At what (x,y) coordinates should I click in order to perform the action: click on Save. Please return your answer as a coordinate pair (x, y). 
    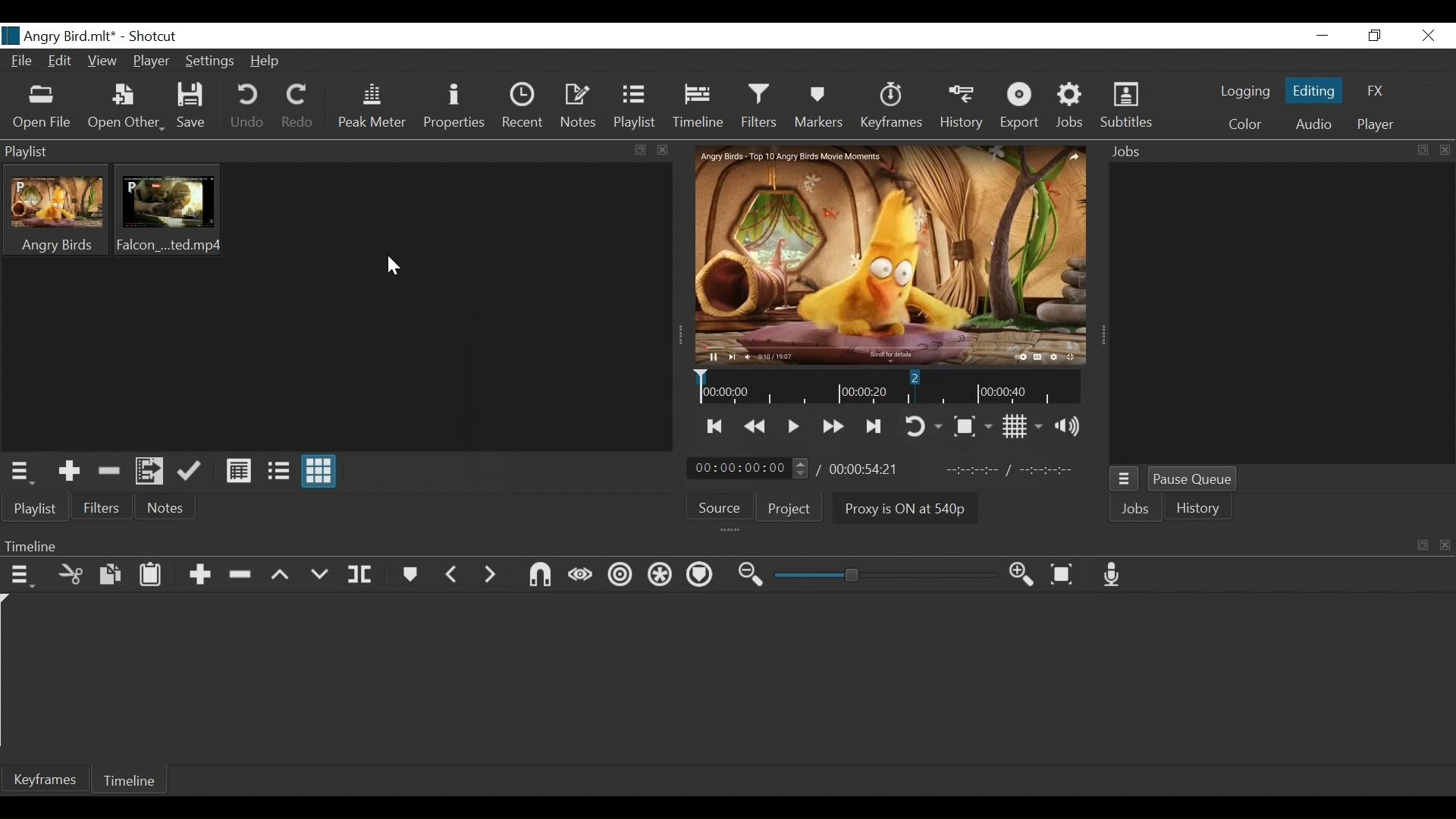
    Looking at the image, I should click on (193, 108).